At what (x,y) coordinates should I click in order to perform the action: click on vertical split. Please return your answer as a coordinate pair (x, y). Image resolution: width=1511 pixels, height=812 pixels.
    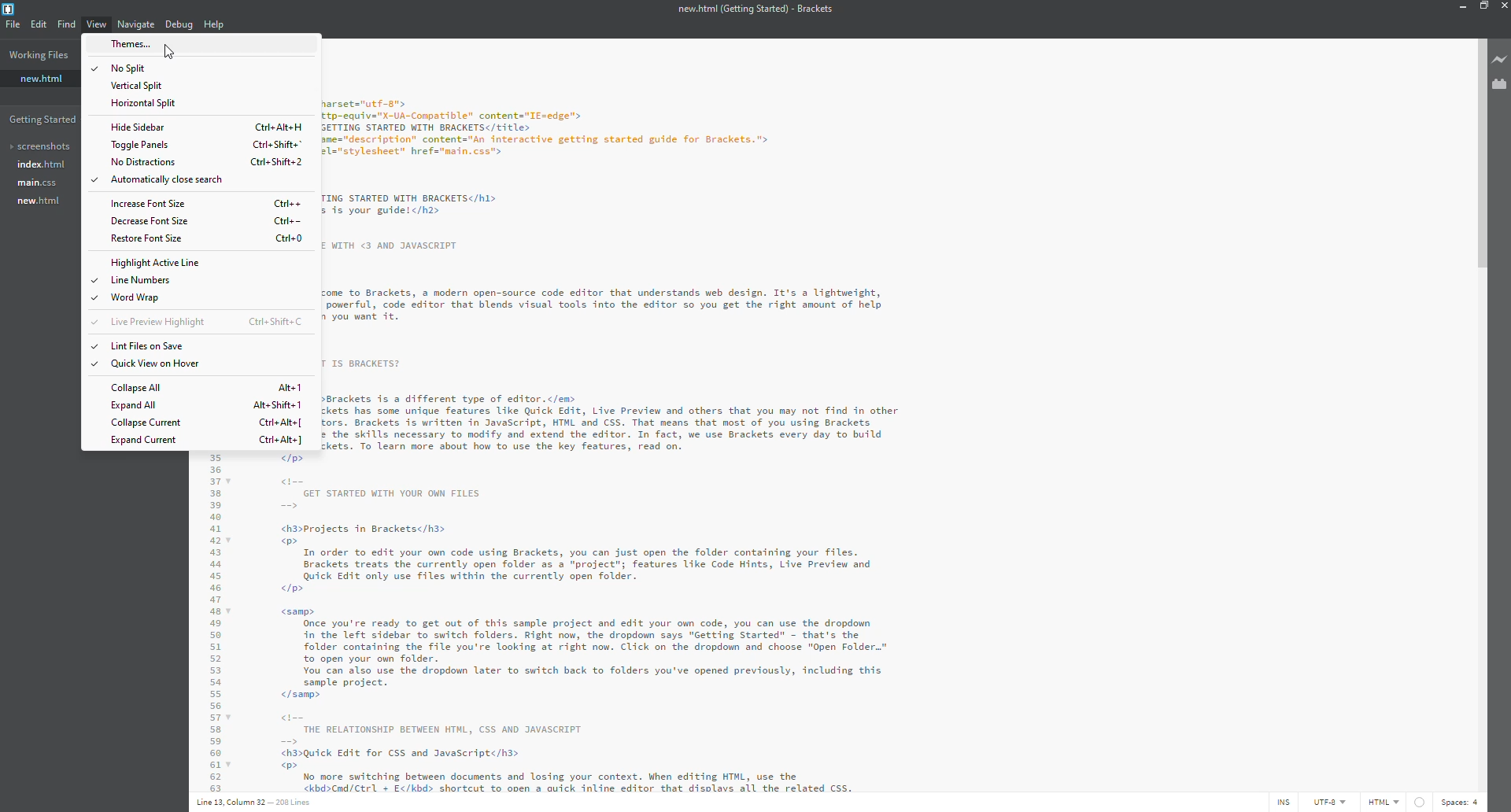
    Looking at the image, I should click on (136, 86).